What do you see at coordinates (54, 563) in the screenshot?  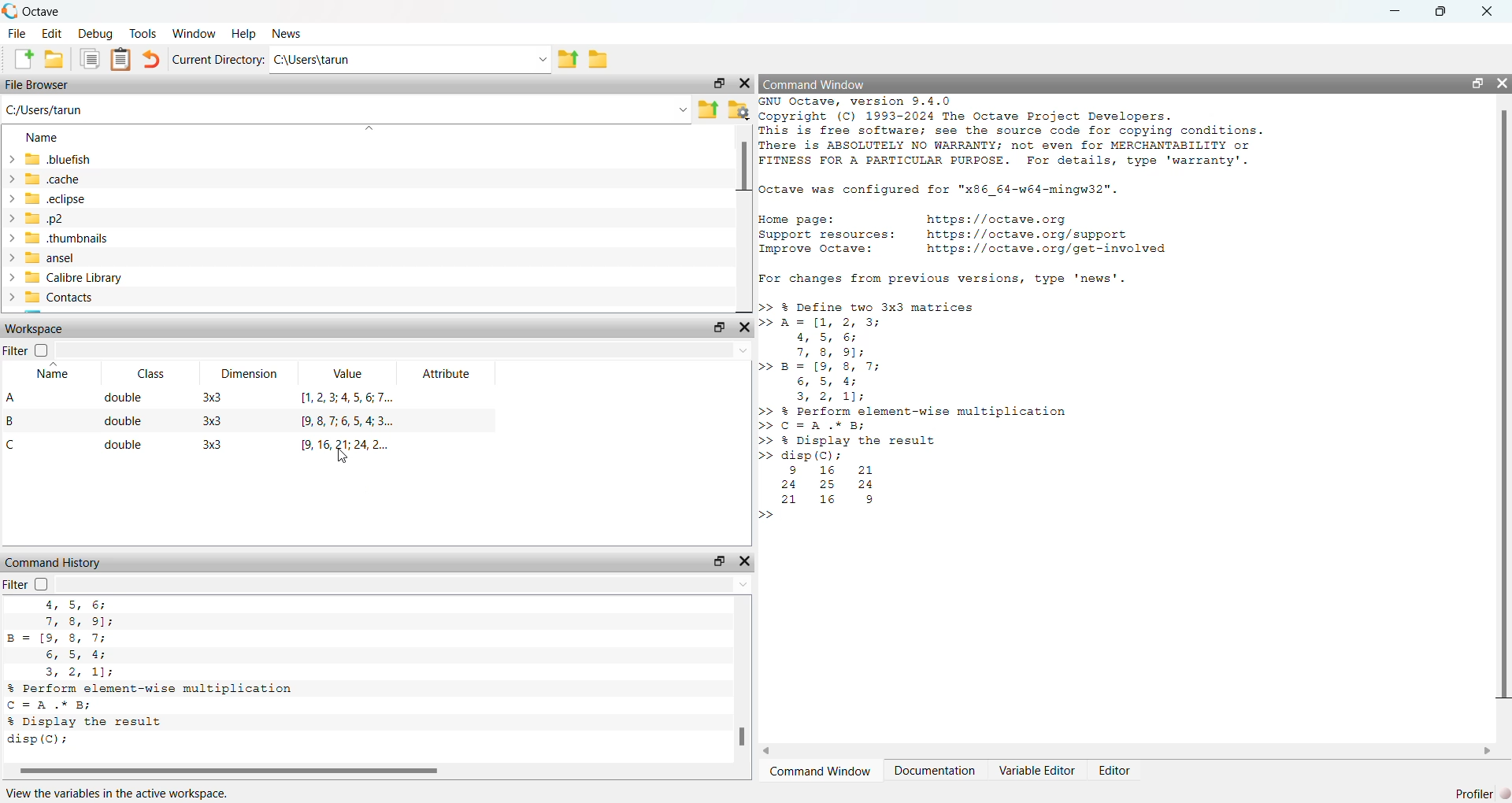 I see `Command History` at bounding box center [54, 563].